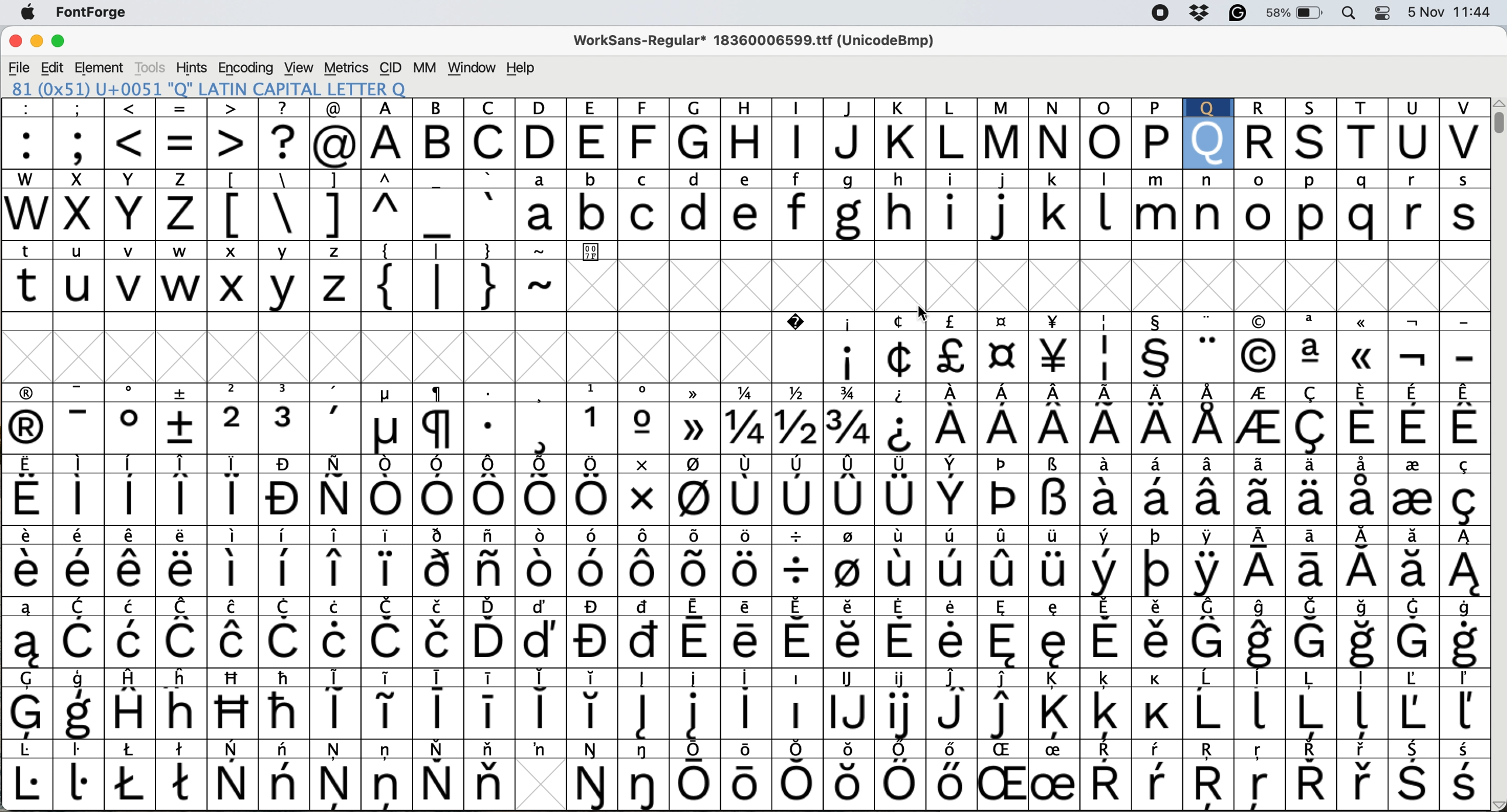 The width and height of the screenshot is (1507, 812). I want to click on text, so click(753, 176).